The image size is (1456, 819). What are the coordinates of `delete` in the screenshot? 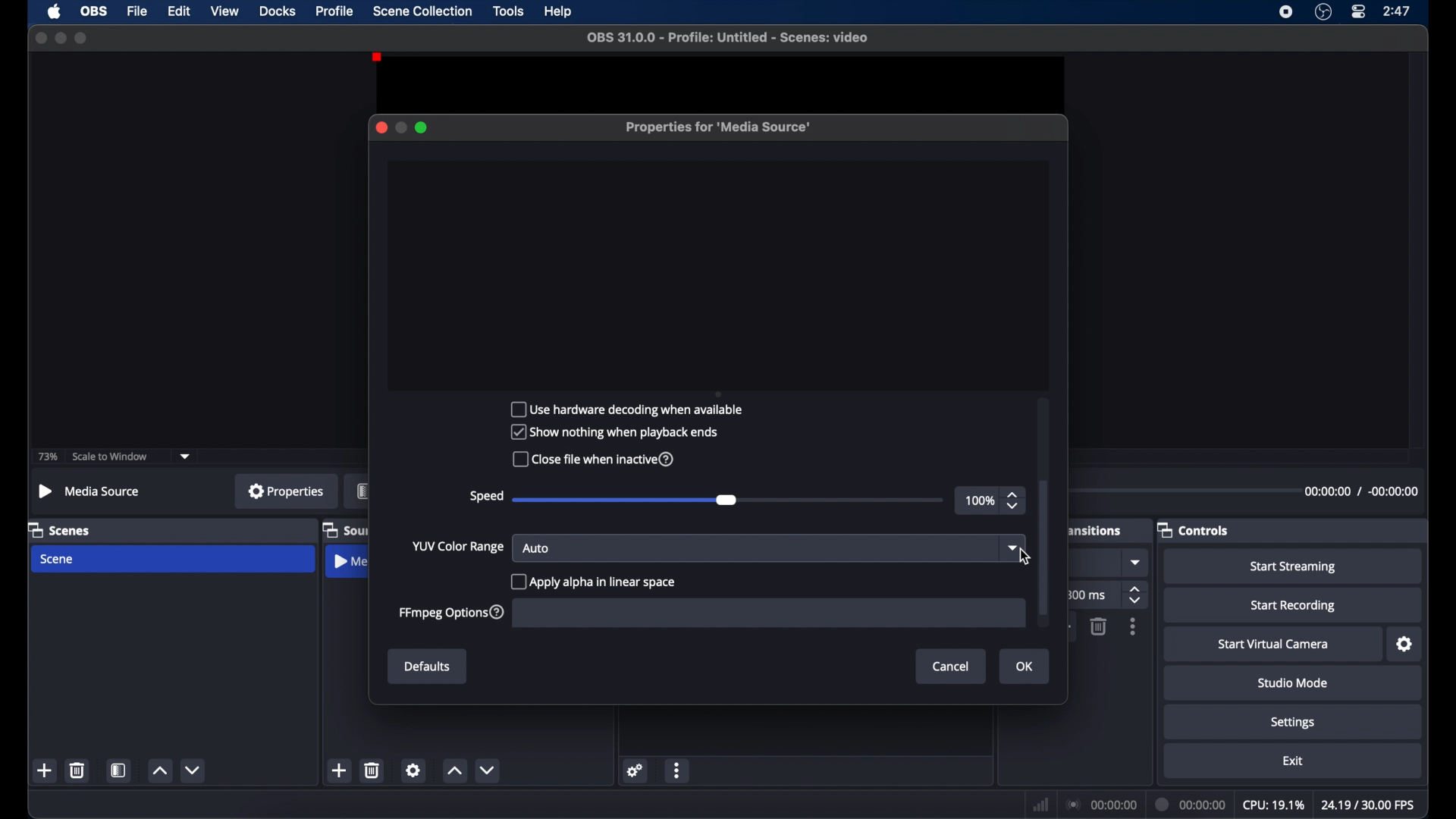 It's located at (77, 770).